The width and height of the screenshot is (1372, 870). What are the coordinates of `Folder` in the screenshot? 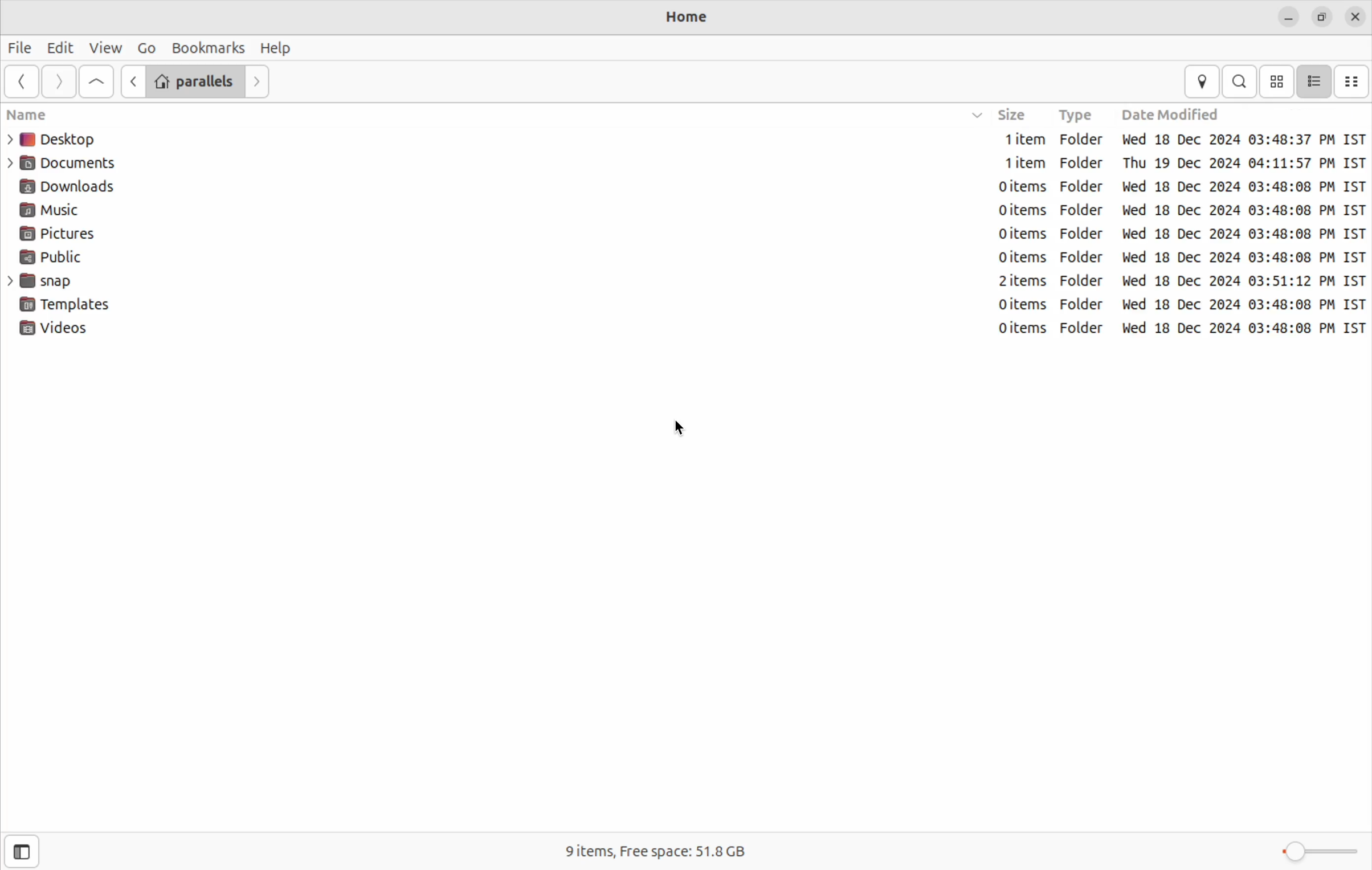 It's located at (1084, 210).